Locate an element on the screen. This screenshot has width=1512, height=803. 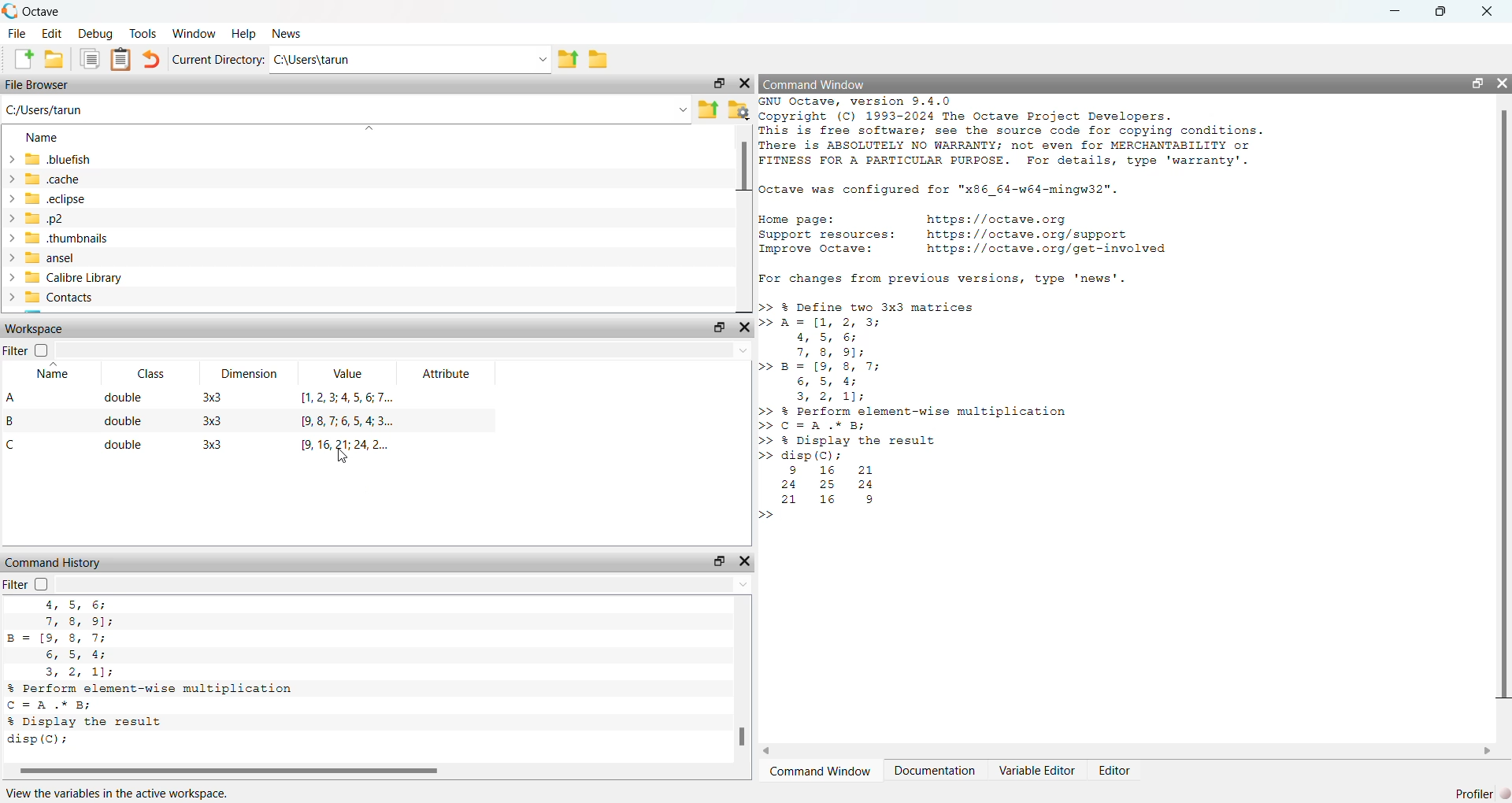
Scroll is located at coordinates (374, 772).